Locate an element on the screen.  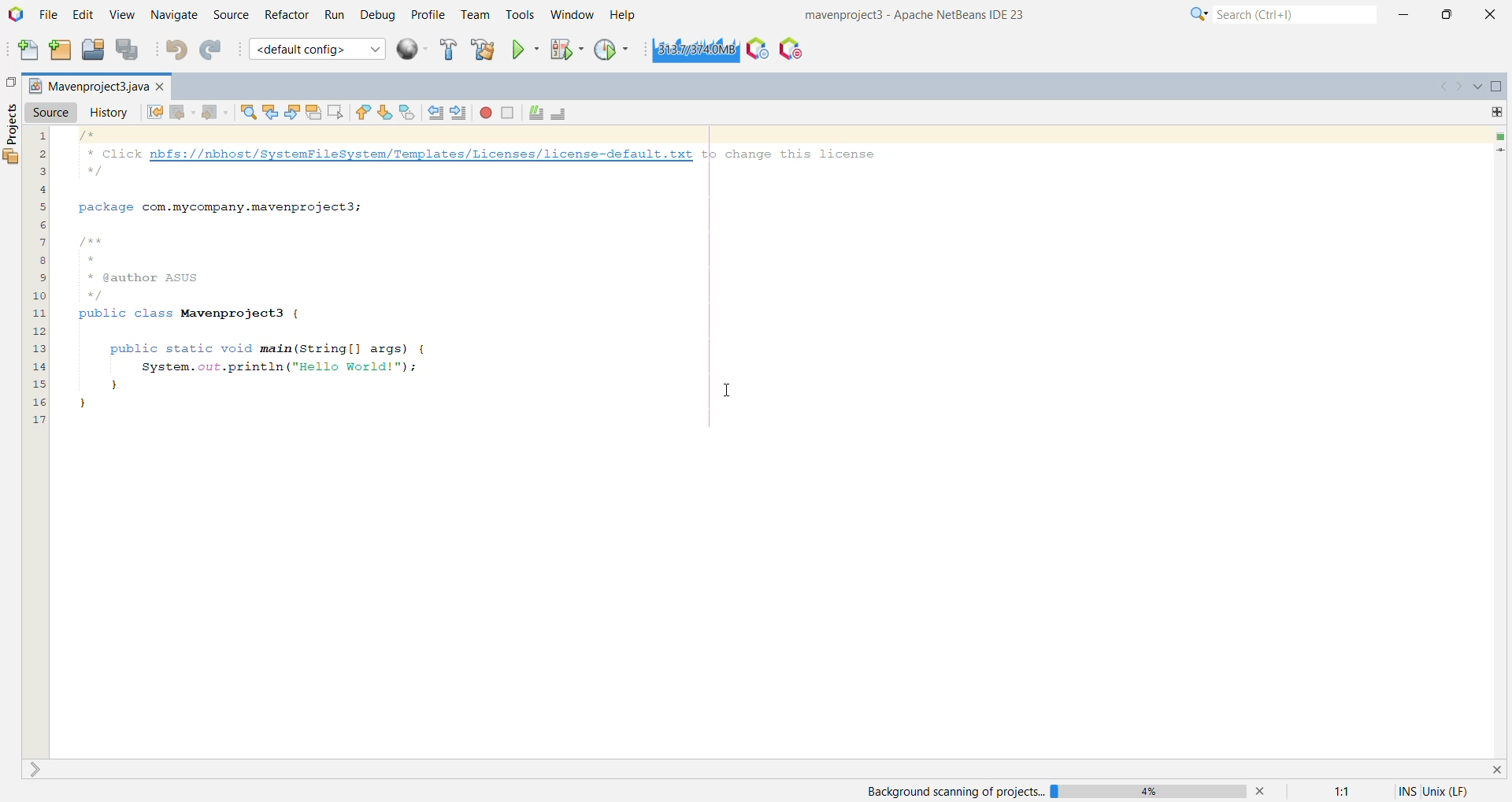
Window is located at coordinates (569, 16).